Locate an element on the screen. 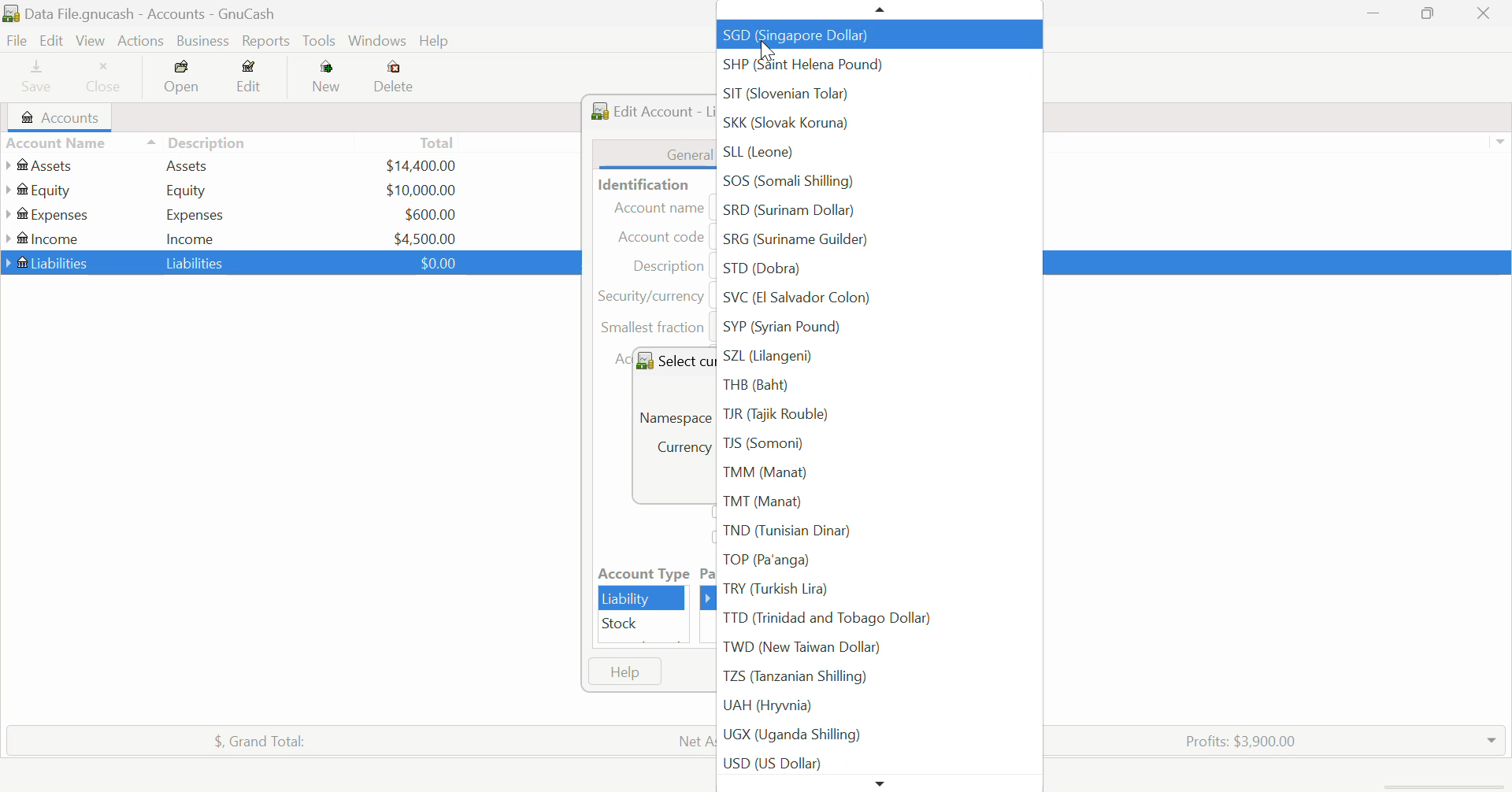  Help is located at coordinates (624, 672).